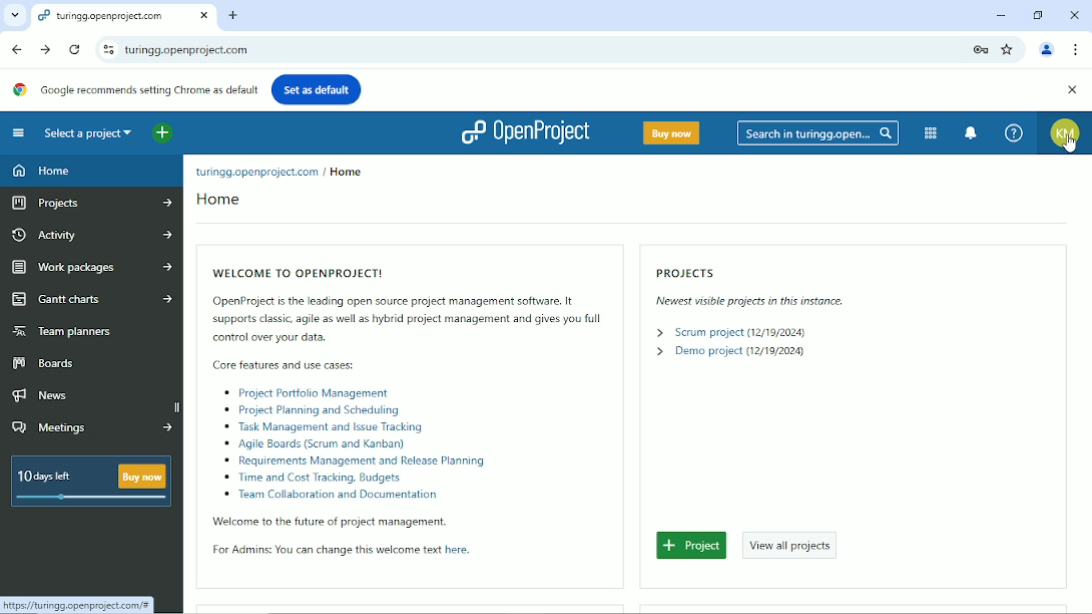 This screenshot has height=614, width=1092. Describe the element at coordinates (1066, 133) in the screenshot. I see `Account` at that location.